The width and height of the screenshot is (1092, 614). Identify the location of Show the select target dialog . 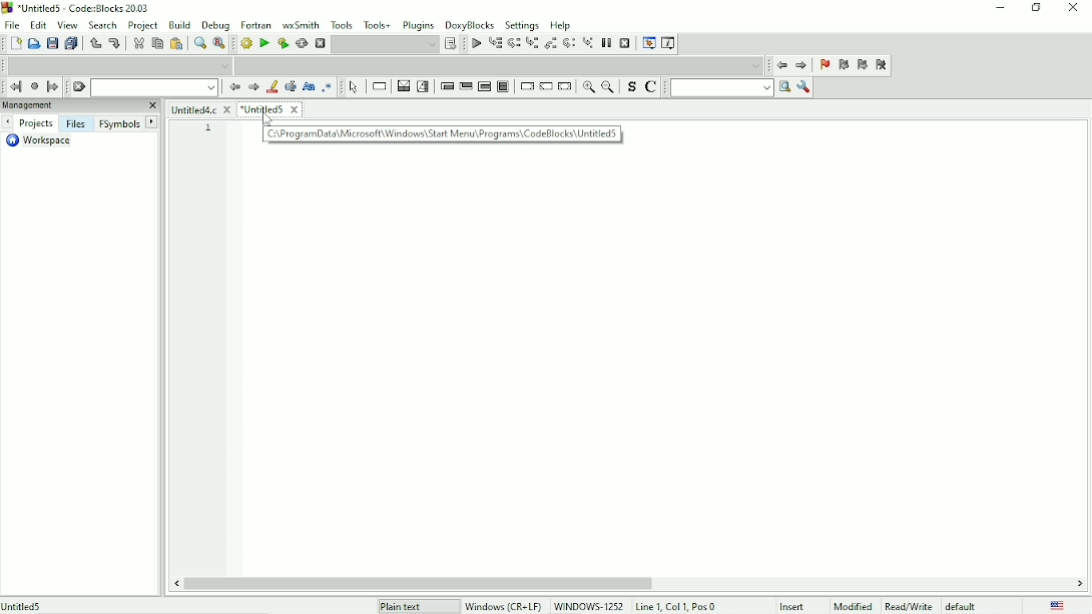
(395, 44).